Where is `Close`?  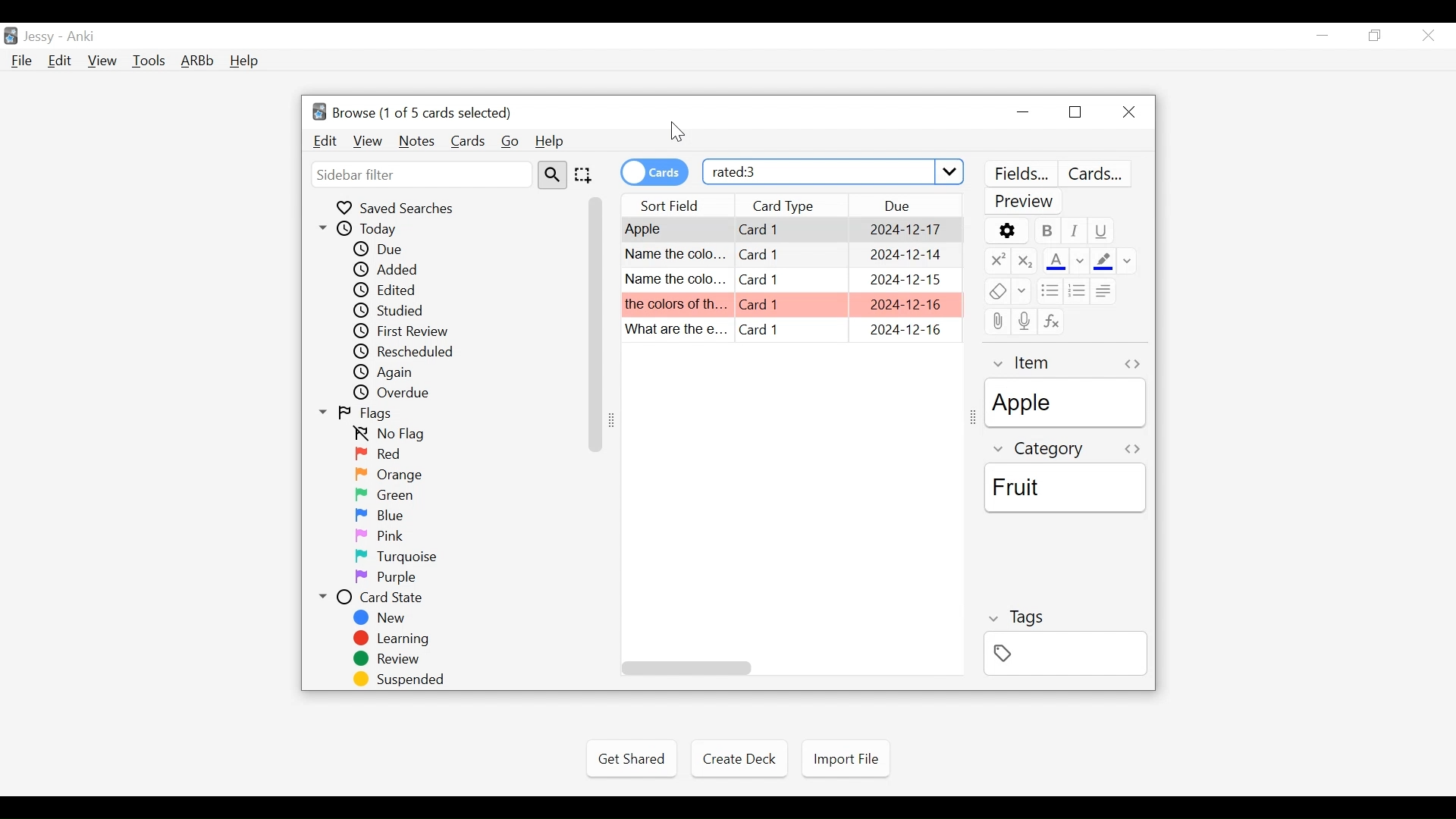 Close is located at coordinates (1129, 113).